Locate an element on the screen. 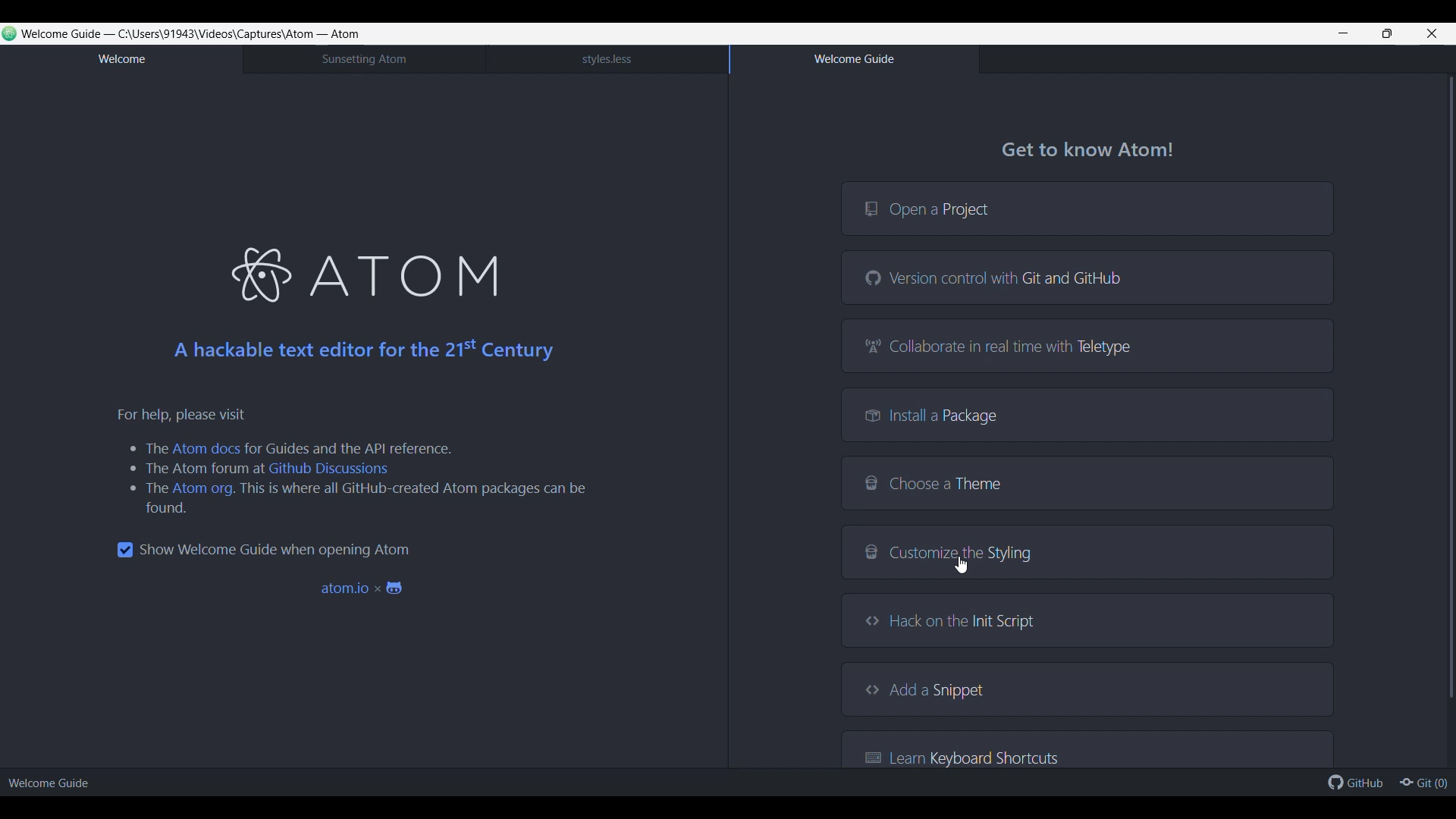 This screenshot has height=819, width=1456. Add a Snippet is located at coordinates (1087, 689).